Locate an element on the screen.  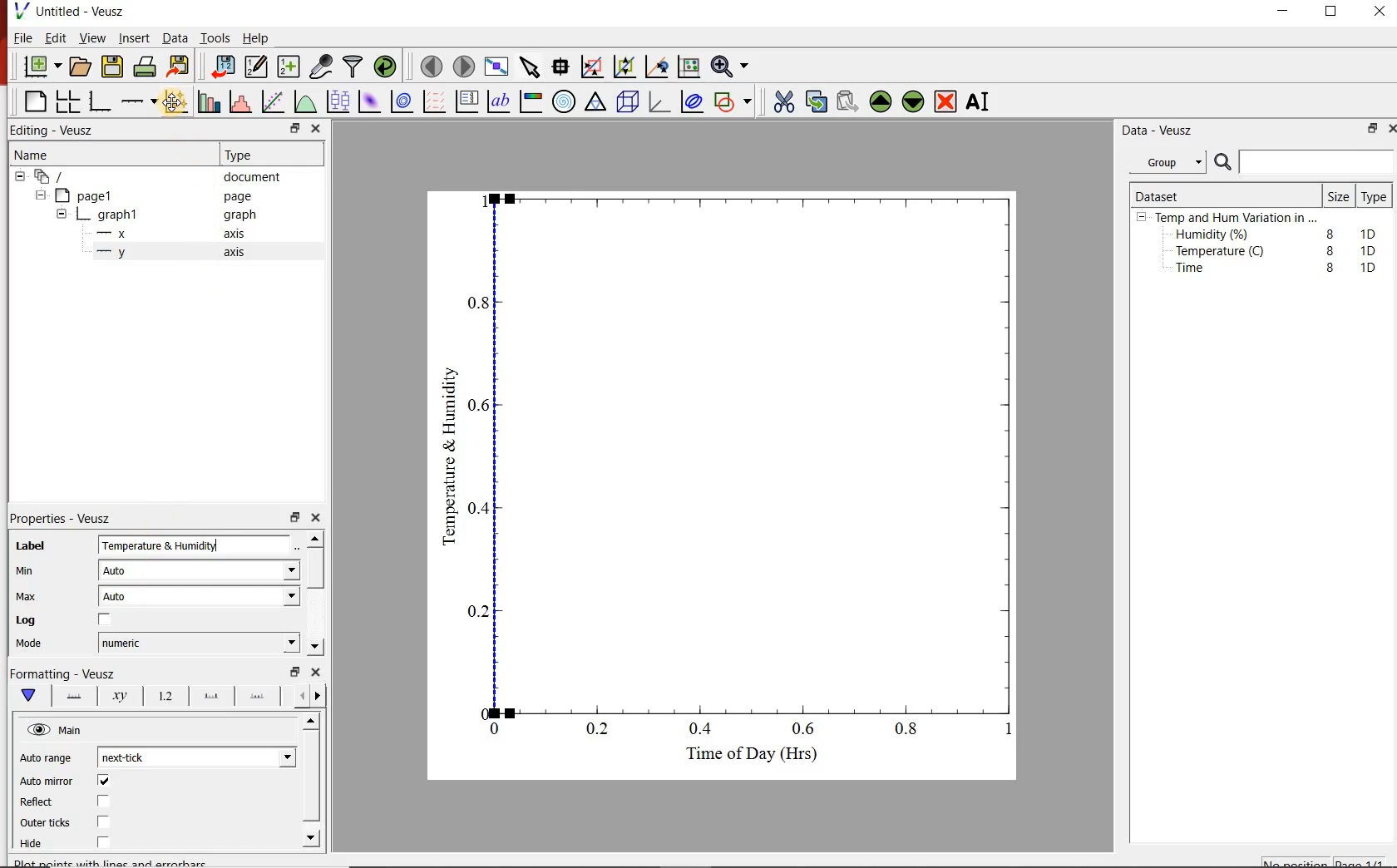
Help is located at coordinates (257, 37).